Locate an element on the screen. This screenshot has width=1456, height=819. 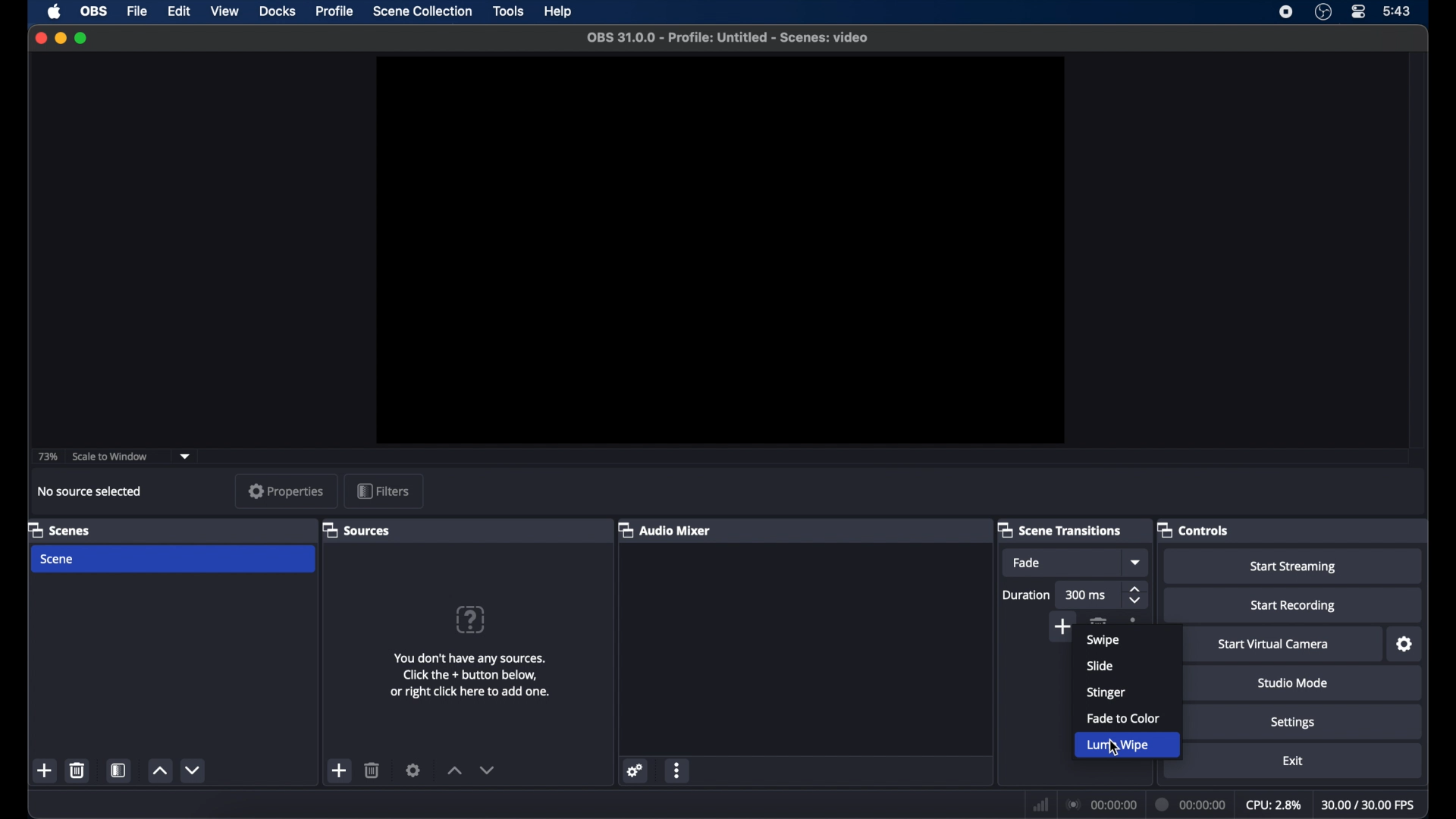
decrement is located at coordinates (193, 771).